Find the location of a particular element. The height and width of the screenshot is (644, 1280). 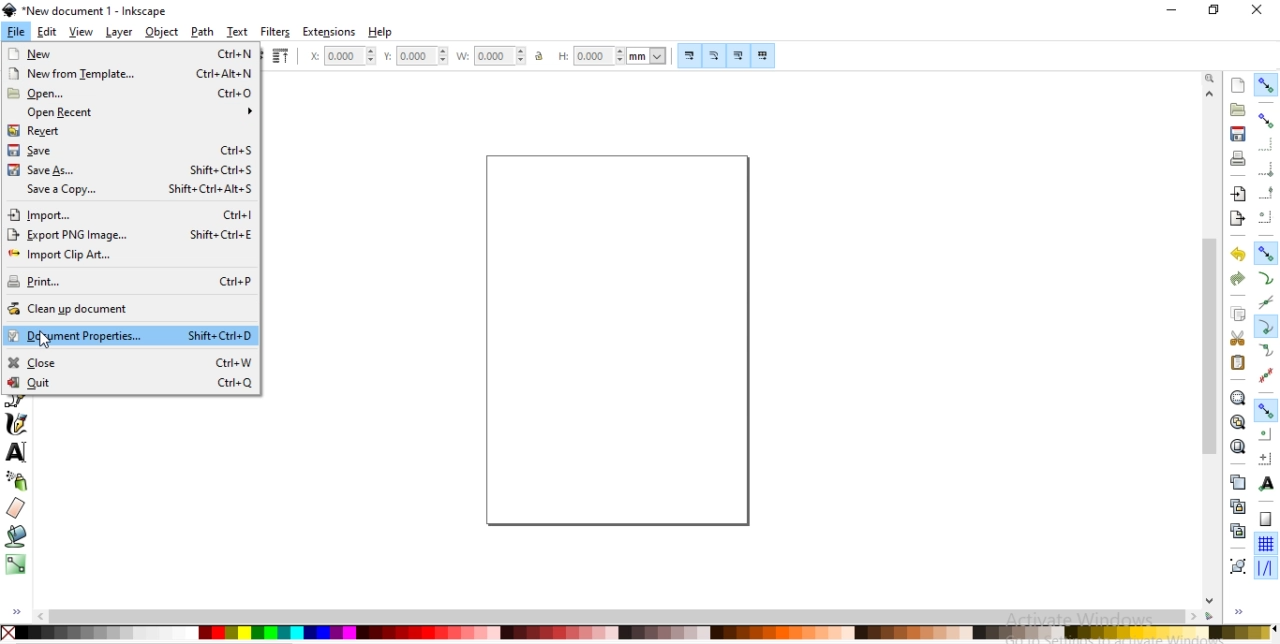

save as is located at coordinates (129, 172).